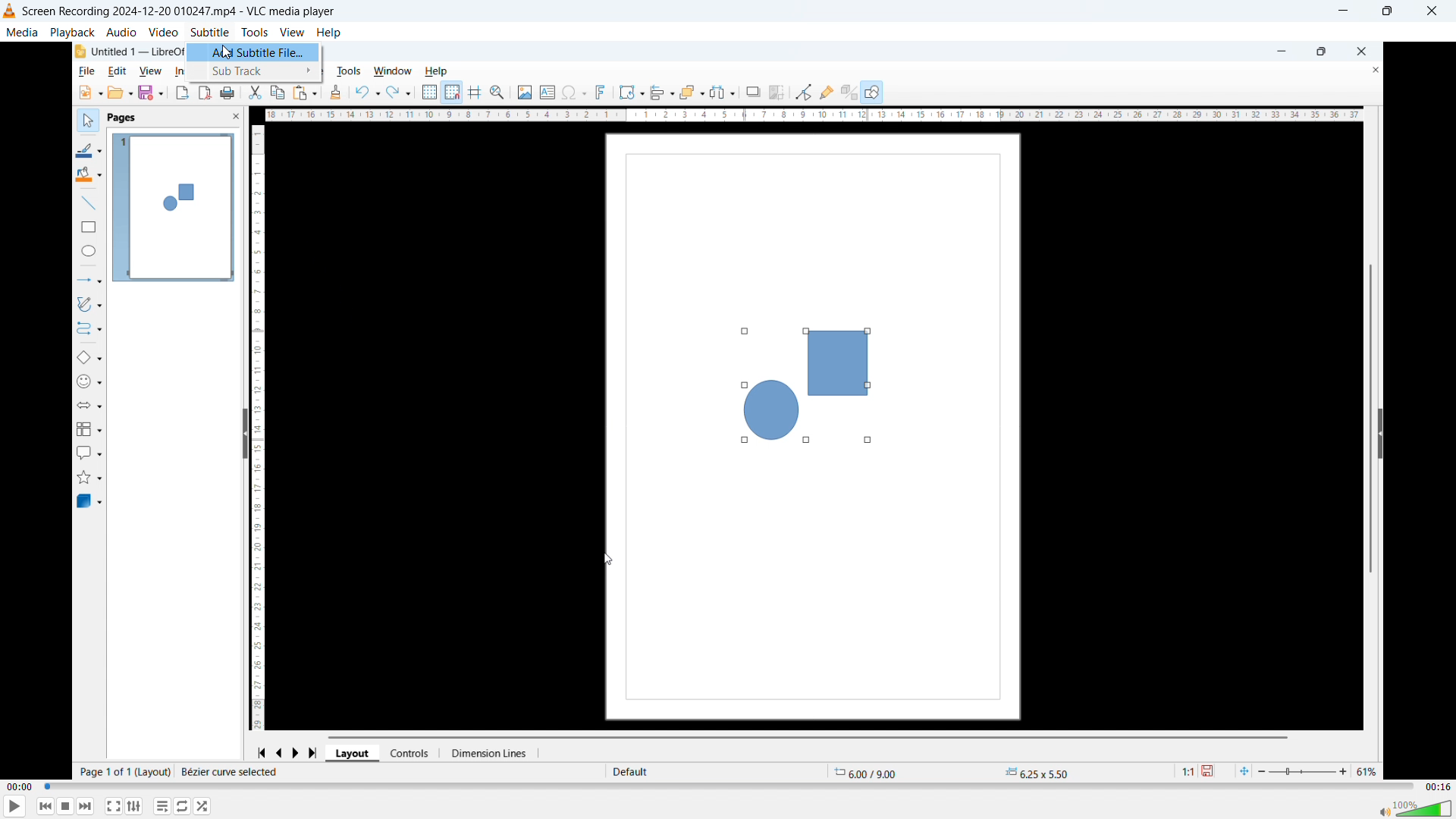 The width and height of the screenshot is (1456, 819). Describe the element at coordinates (415, 753) in the screenshot. I see `Controls ` at that location.